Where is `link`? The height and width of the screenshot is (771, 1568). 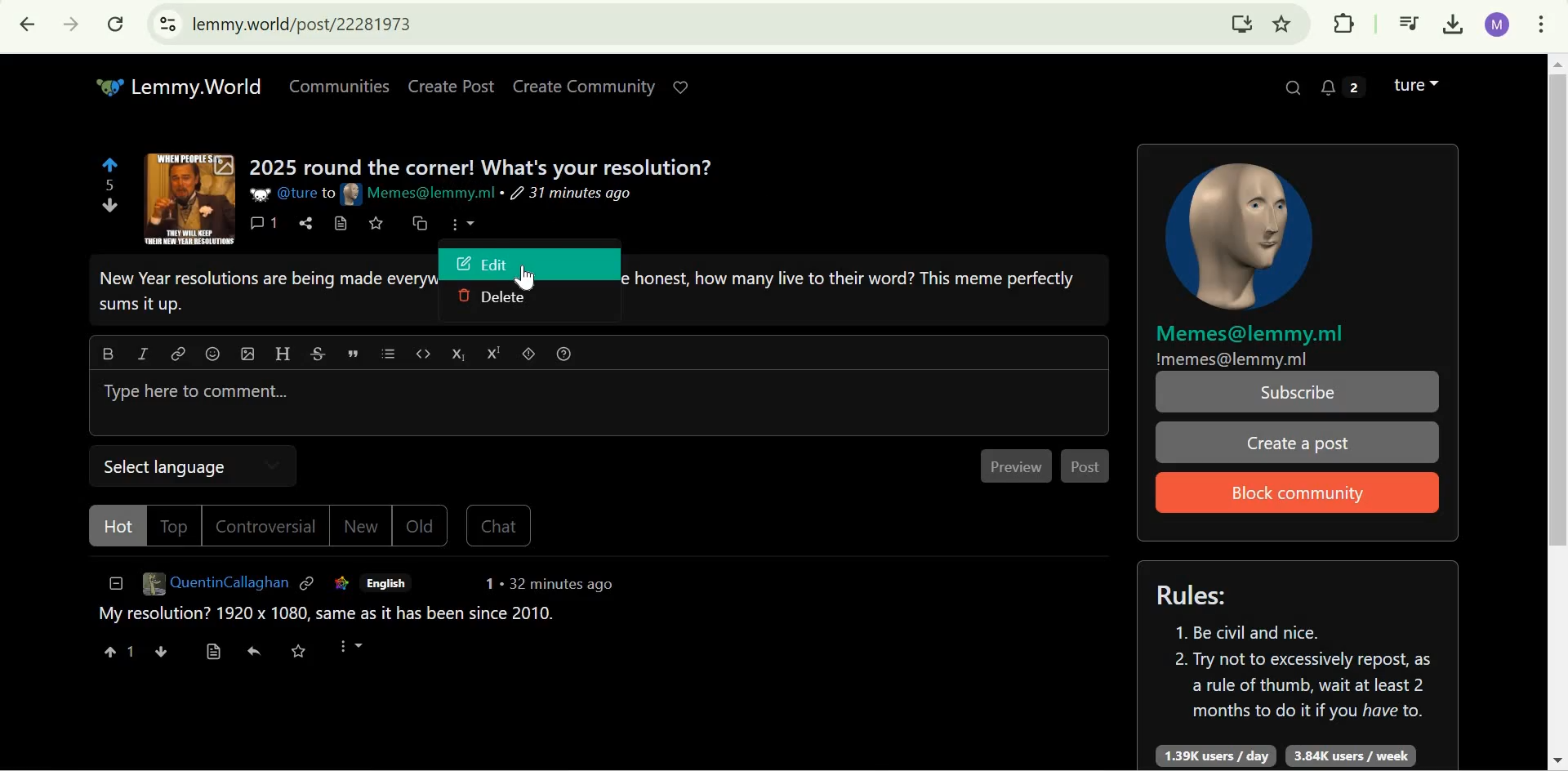
link is located at coordinates (179, 352).